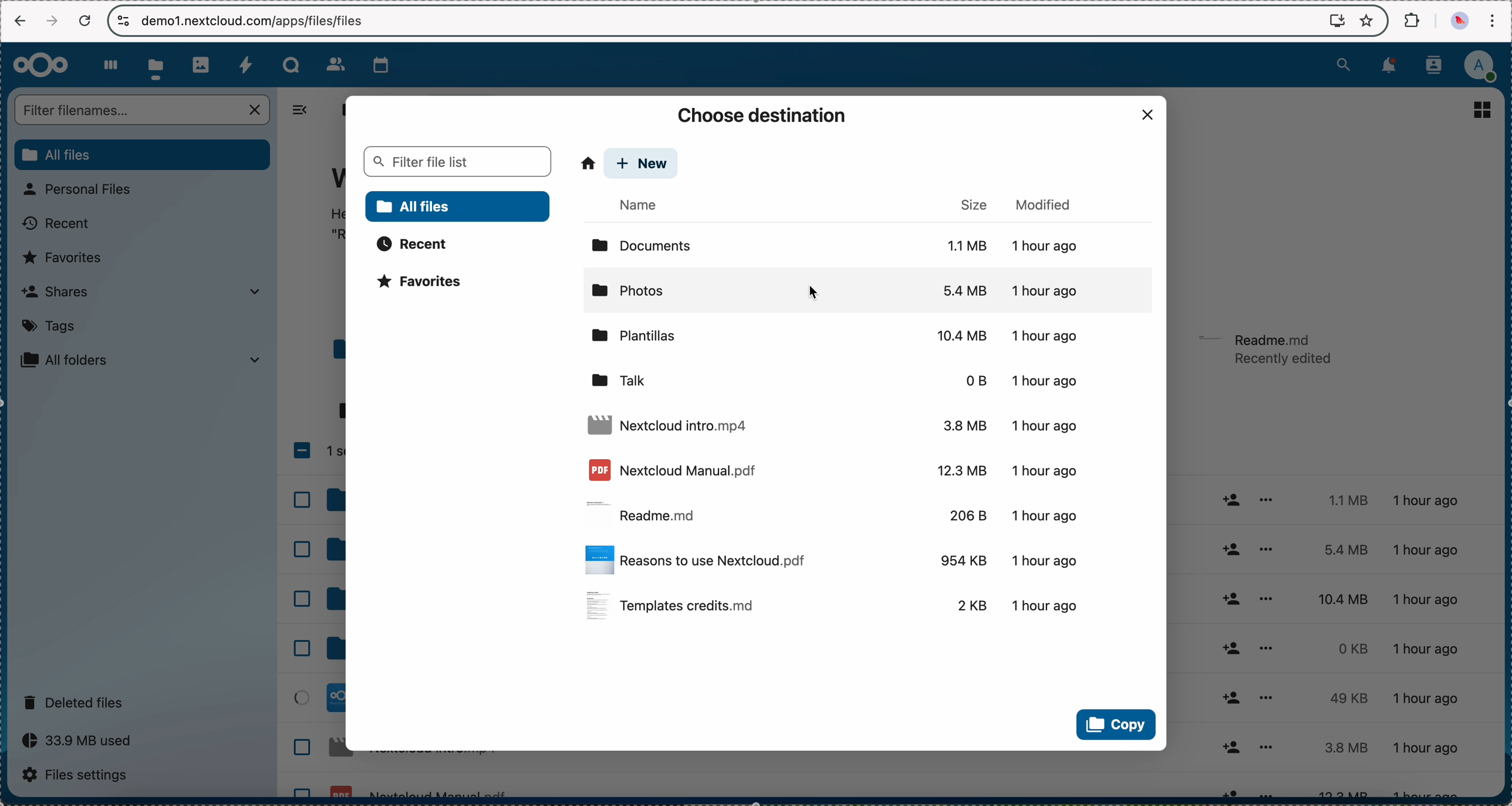 This screenshot has width=1512, height=806. Describe the element at coordinates (1114, 725) in the screenshot. I see `copy button` at that location.